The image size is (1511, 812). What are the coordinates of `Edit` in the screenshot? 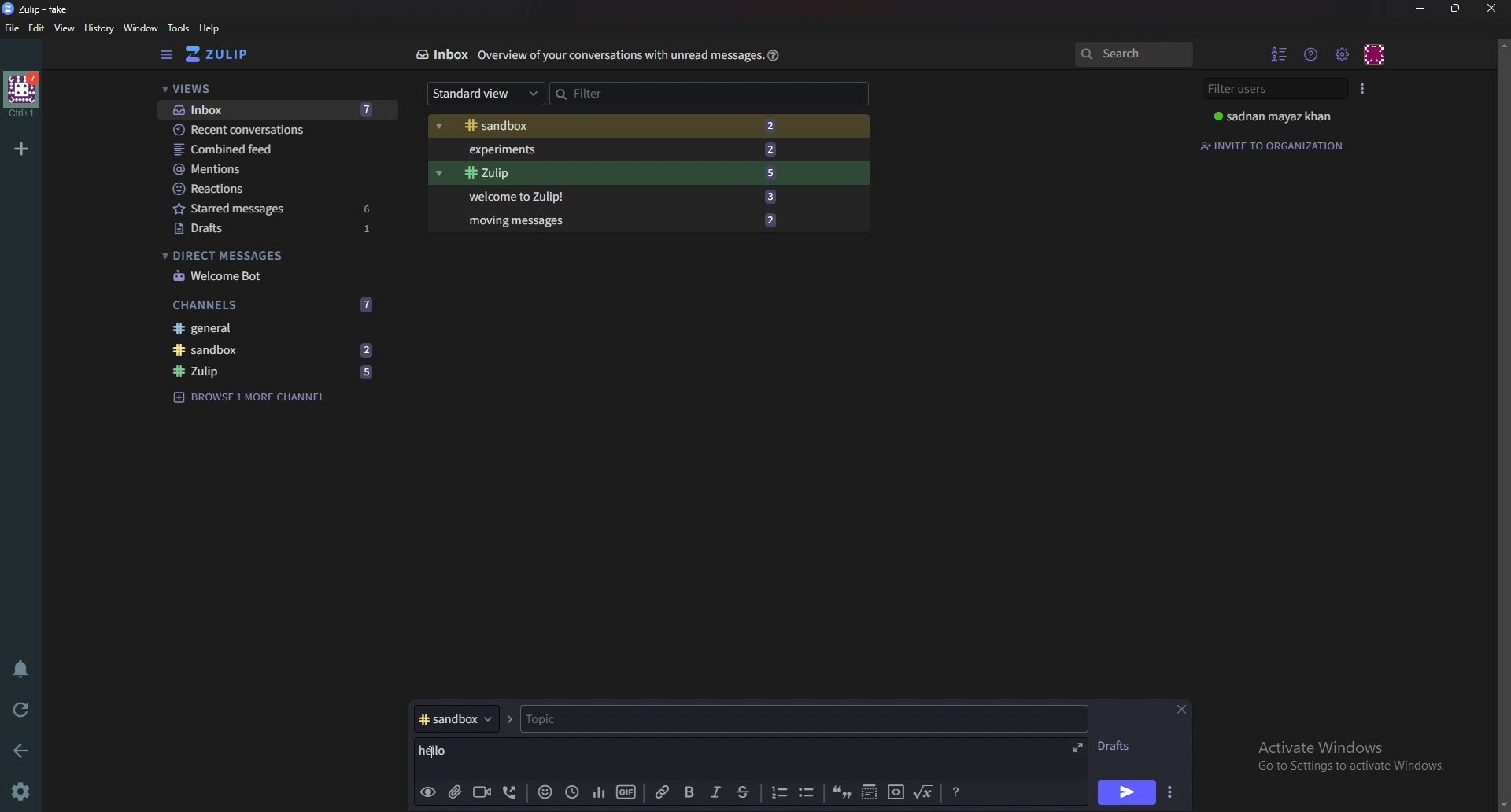 It's located at (37, 31).